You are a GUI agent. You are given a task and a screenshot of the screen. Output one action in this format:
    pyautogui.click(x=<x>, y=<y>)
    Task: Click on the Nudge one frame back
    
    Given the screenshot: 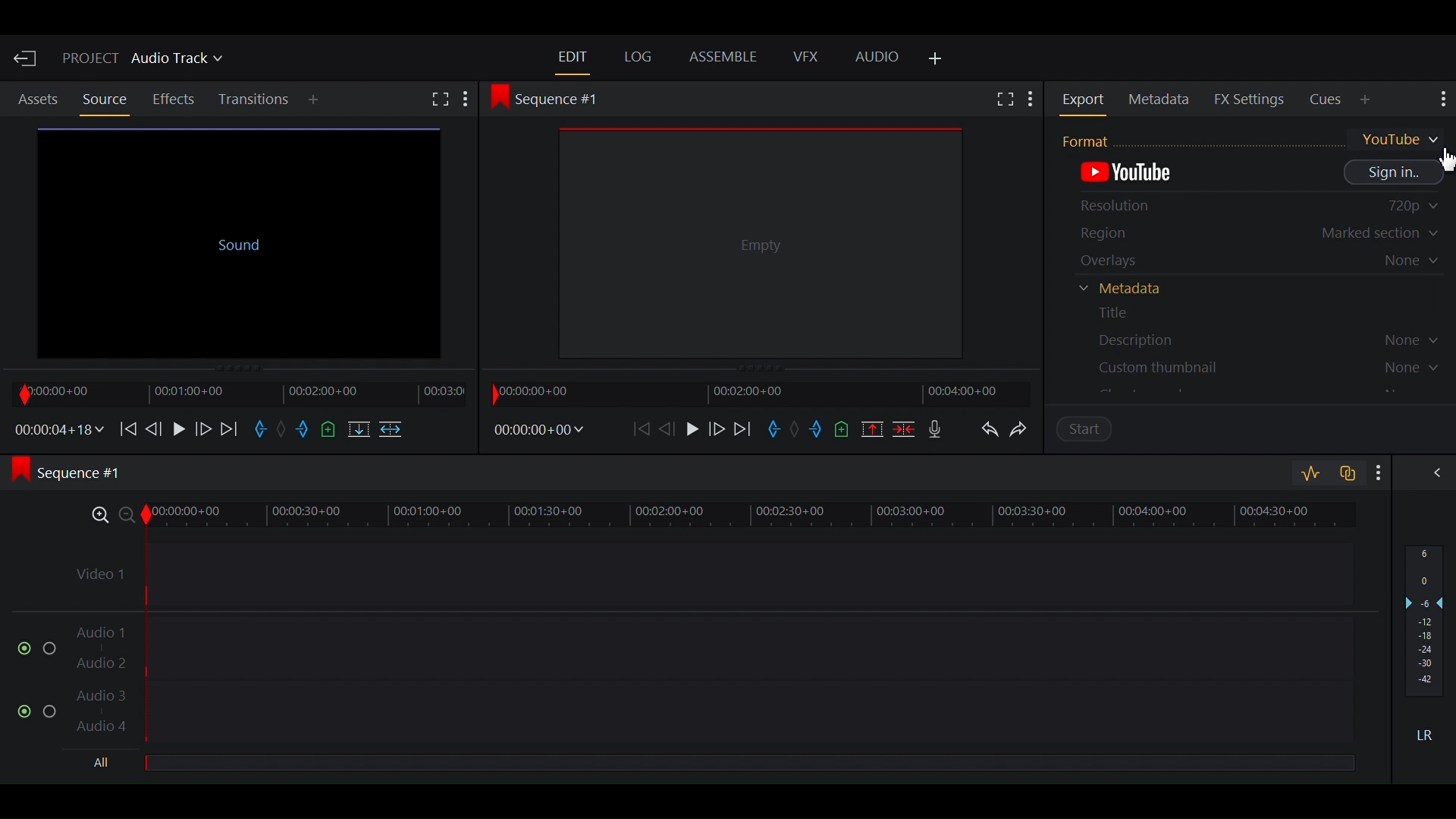 What is the action you would take?
    pyautogui.click(x=671, y=428)
    